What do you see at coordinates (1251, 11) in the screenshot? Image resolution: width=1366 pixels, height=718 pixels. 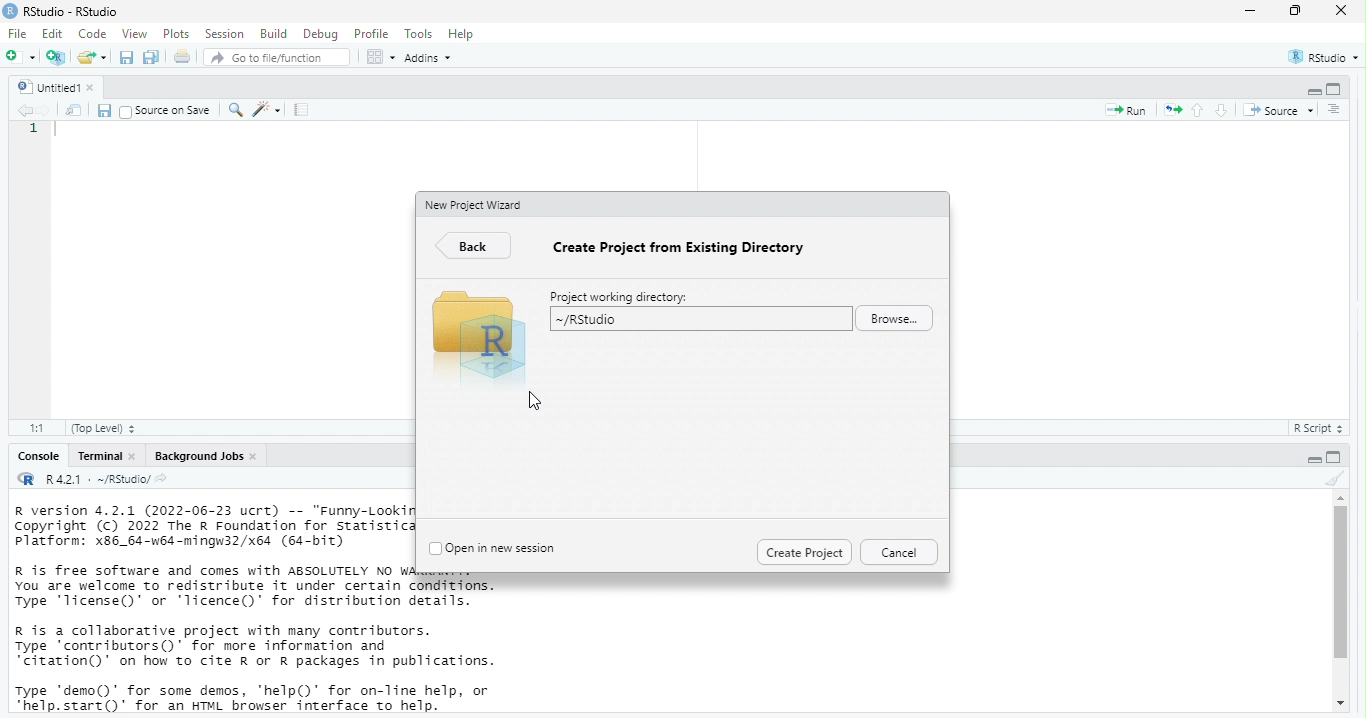 I see `minimize` at bounding box center [1251, 11].